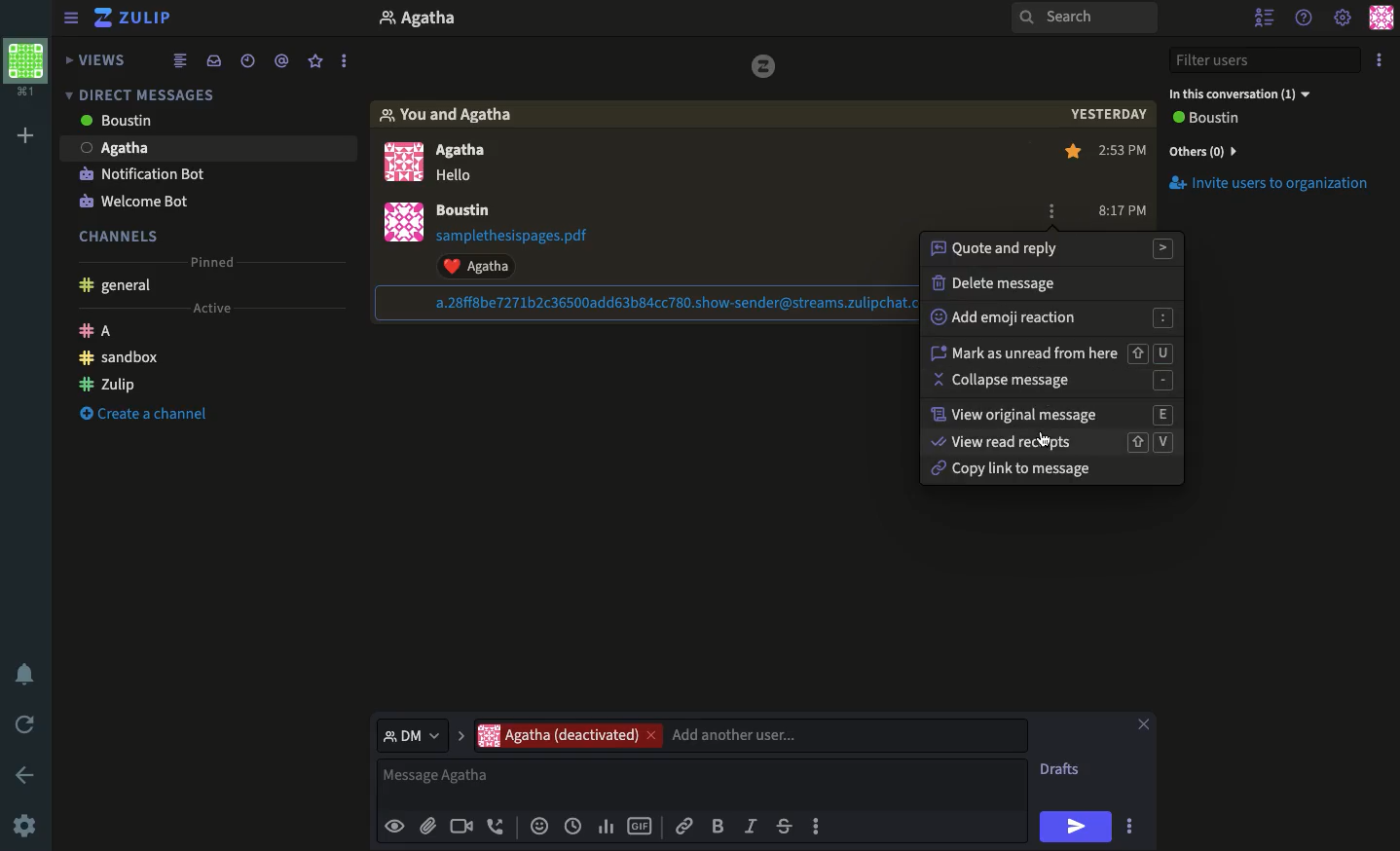  Describe the element at coordinates (576, 826) in the screenshot. I see `Add global time` at that location.